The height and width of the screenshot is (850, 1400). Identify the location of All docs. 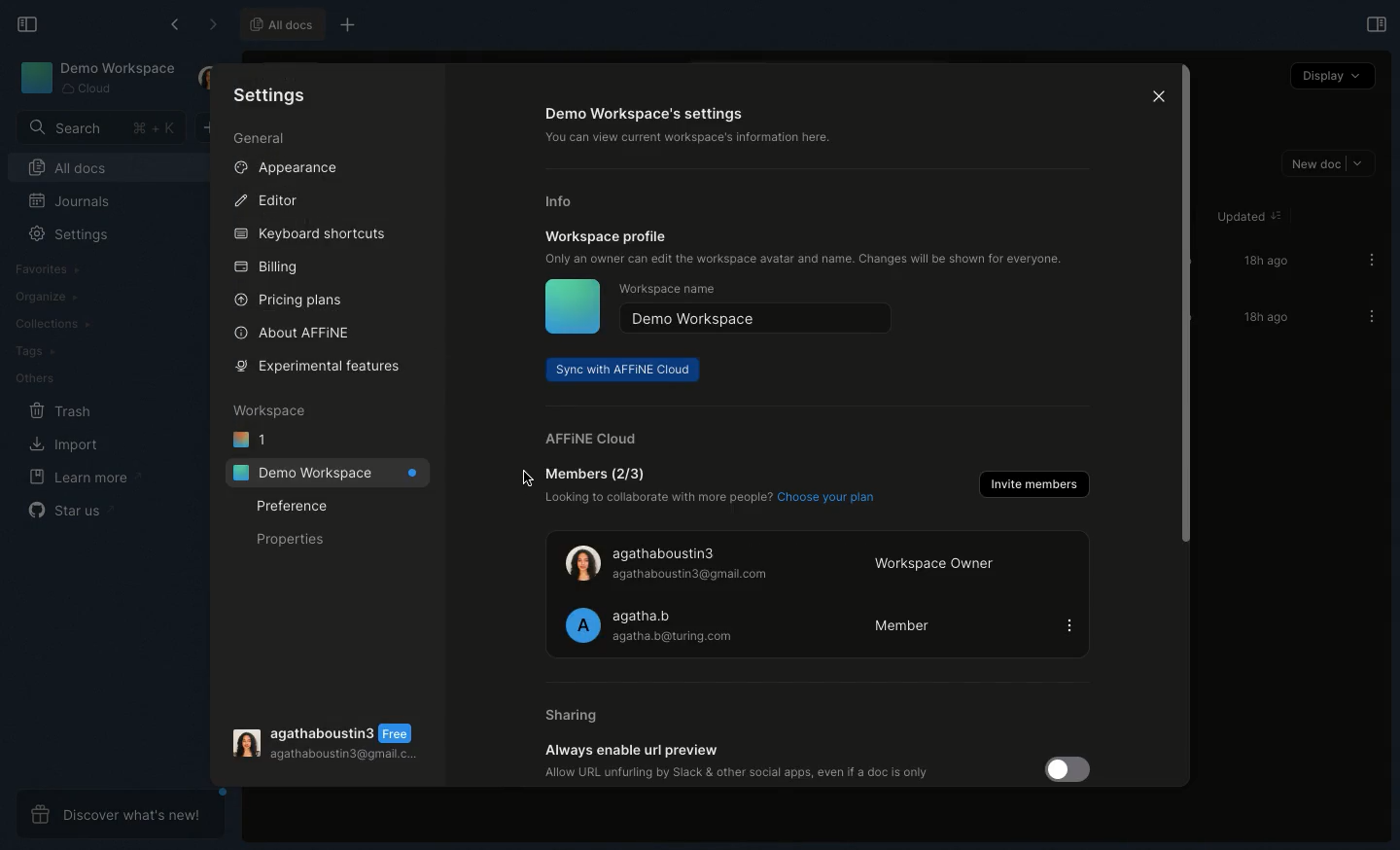
(97, 167).